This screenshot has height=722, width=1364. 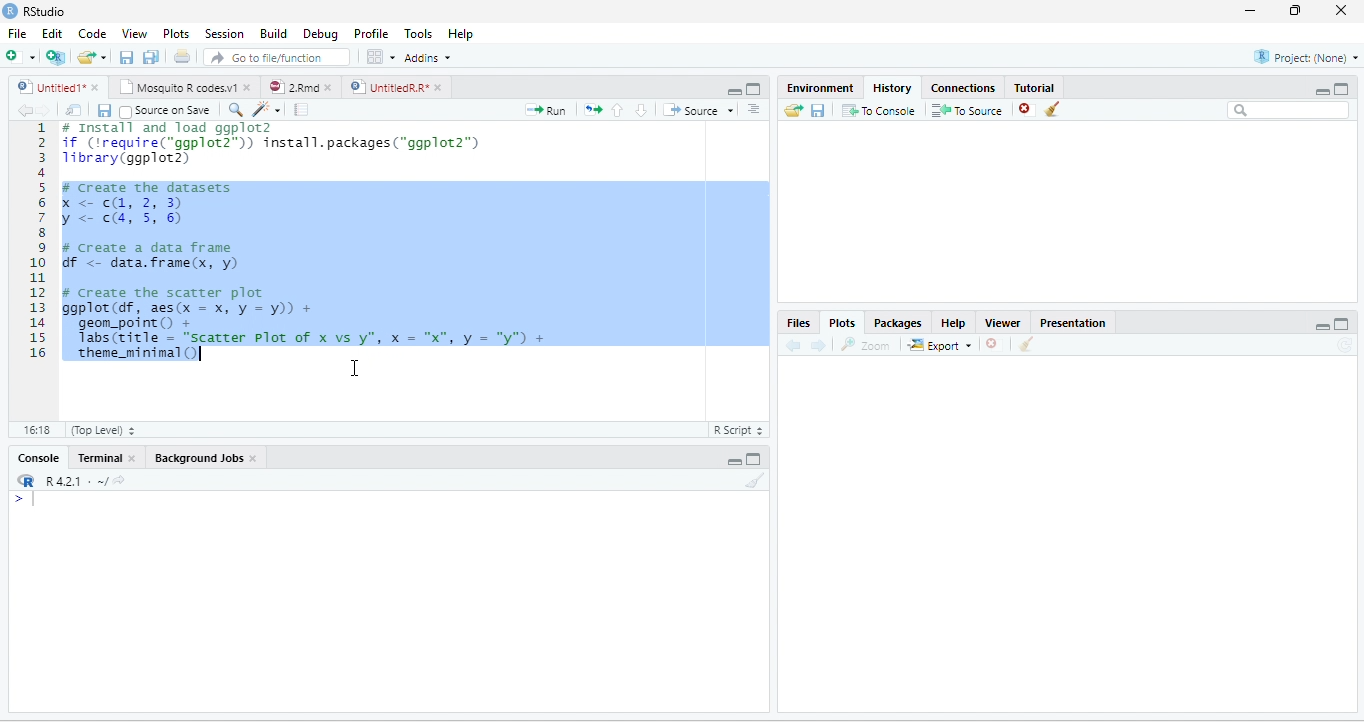 I want to click on File, so click(x=18, y=33).